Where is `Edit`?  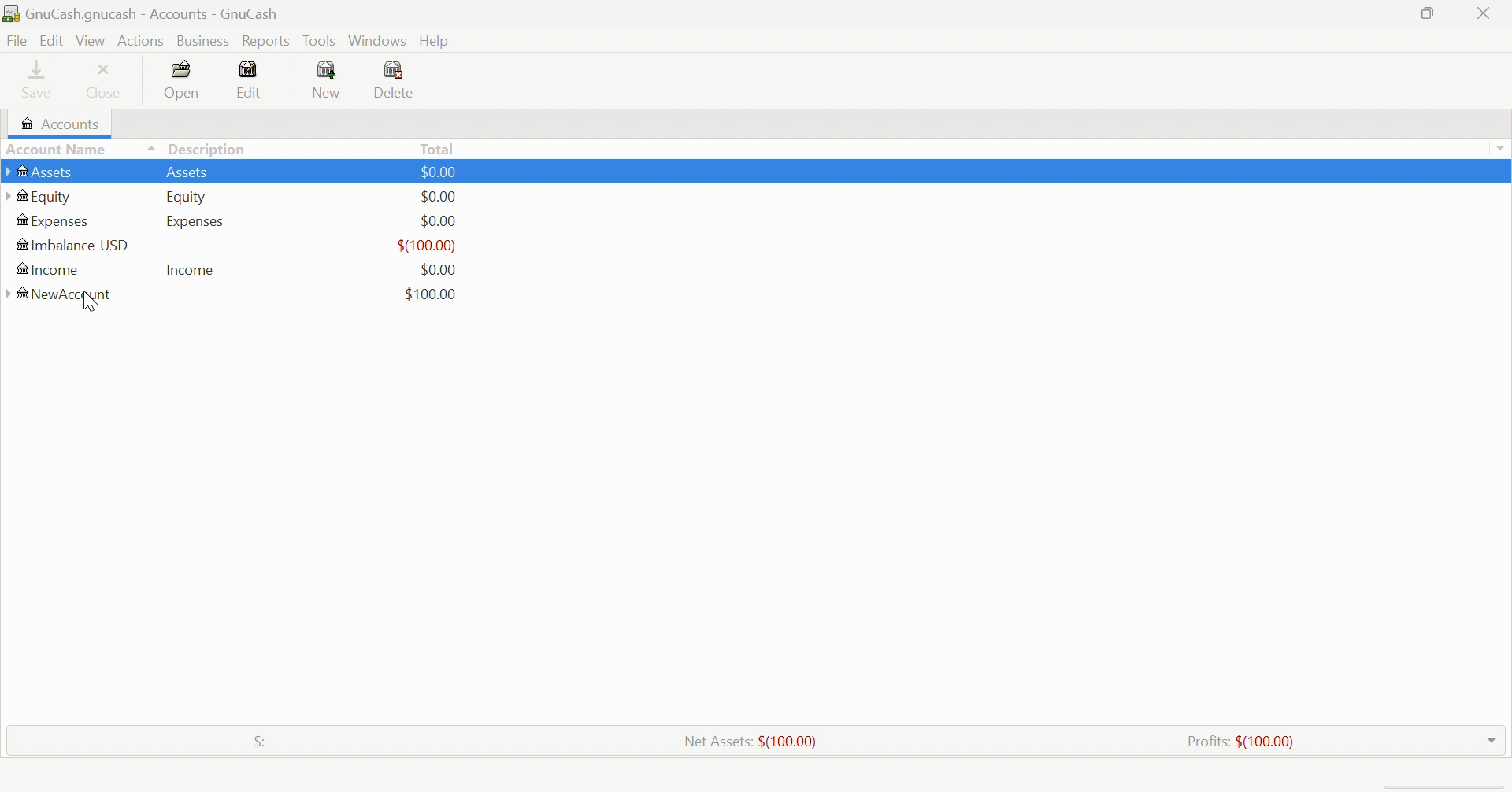
Edit is located at coordinates (51, 42).